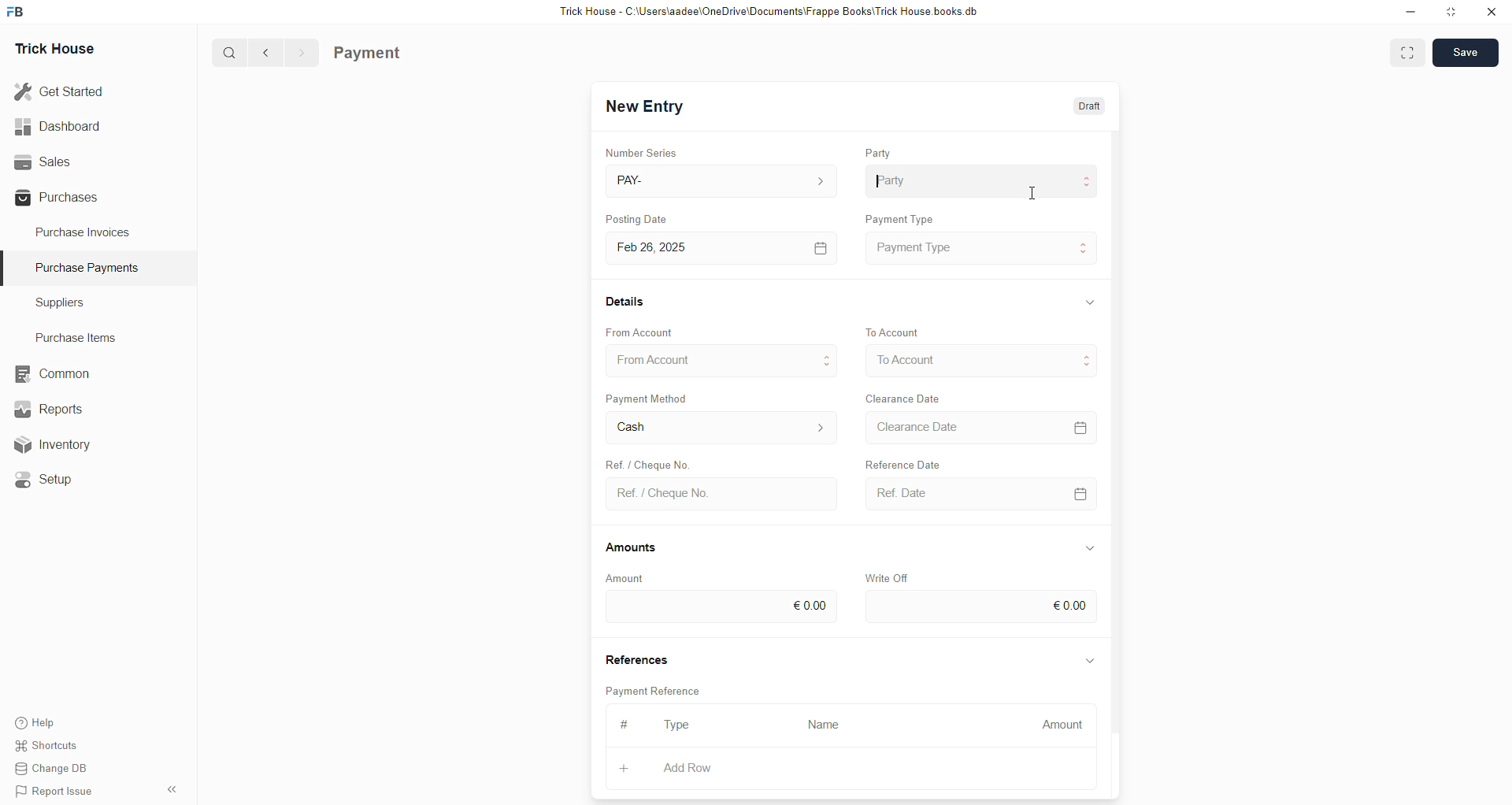 Image resolution: width=1512 pixels, height=805 pixels. Describe the element at coordinates (62, 90) in the screenshot. I see `Get Started` at that location.